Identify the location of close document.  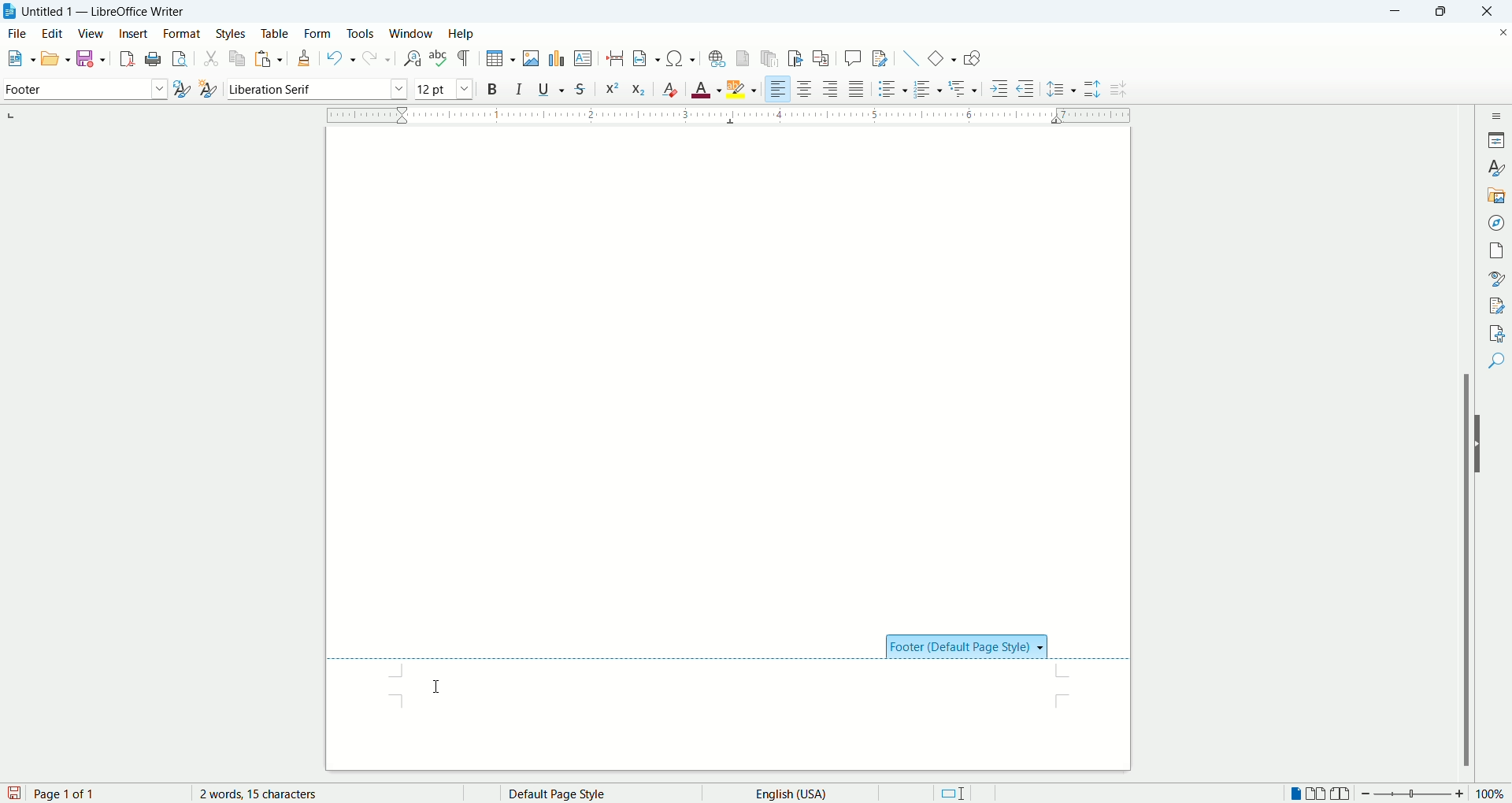
(1499, 31).